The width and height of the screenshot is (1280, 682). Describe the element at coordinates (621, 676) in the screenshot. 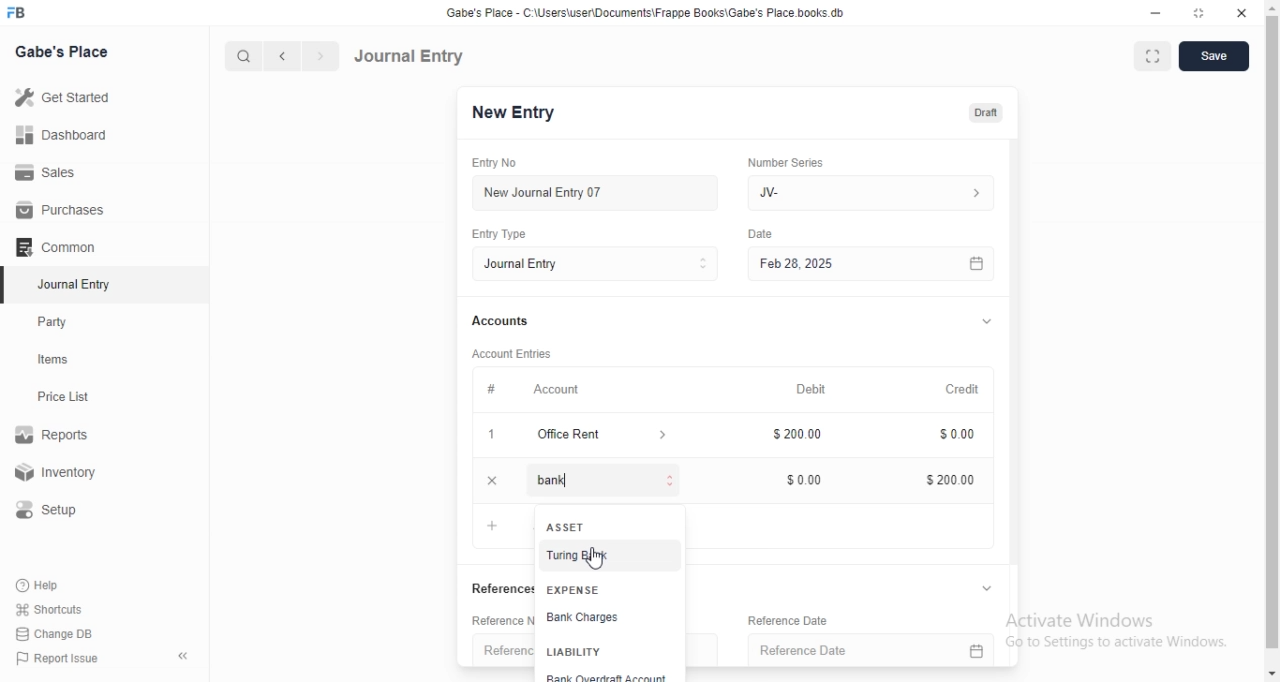

I see `bank overdraft account` at that location.